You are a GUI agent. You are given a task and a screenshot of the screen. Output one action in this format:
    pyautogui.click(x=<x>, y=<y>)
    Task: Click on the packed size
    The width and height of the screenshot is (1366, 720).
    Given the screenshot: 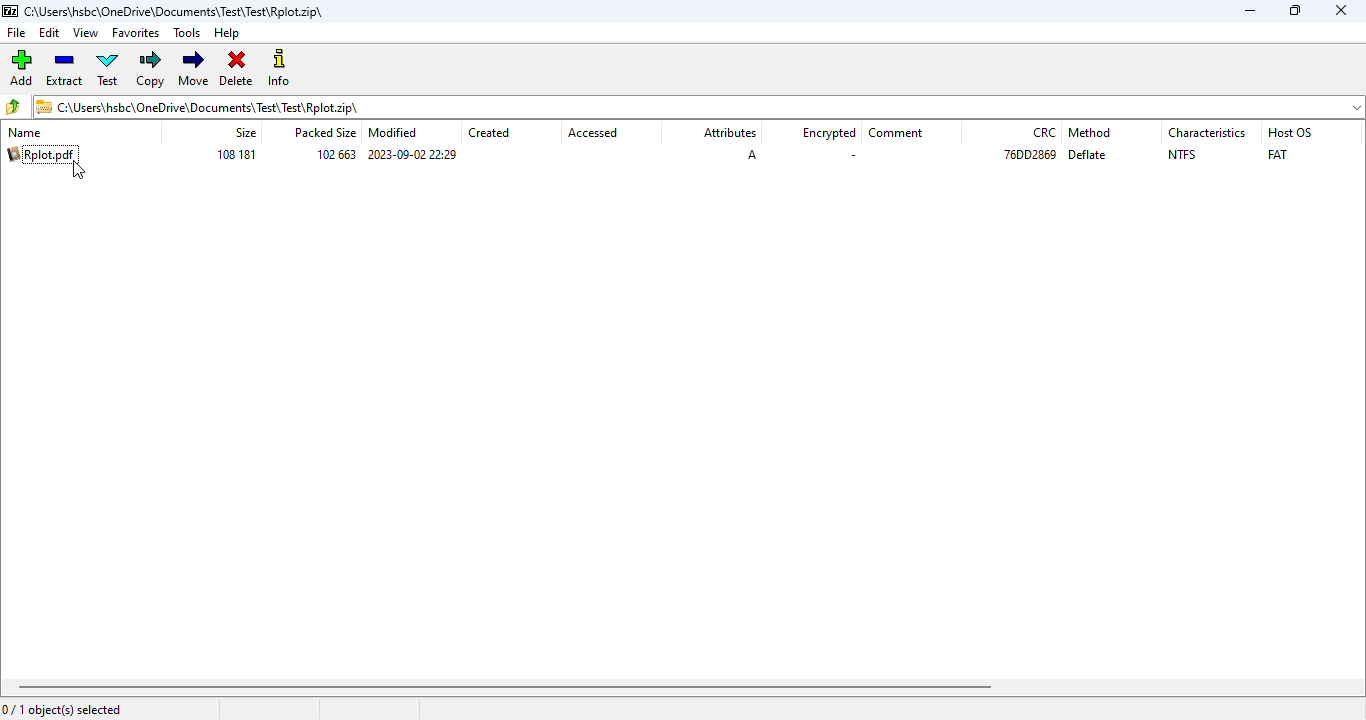 What is the action you would take?
    pyautogui.click(x=322, y=133)
    